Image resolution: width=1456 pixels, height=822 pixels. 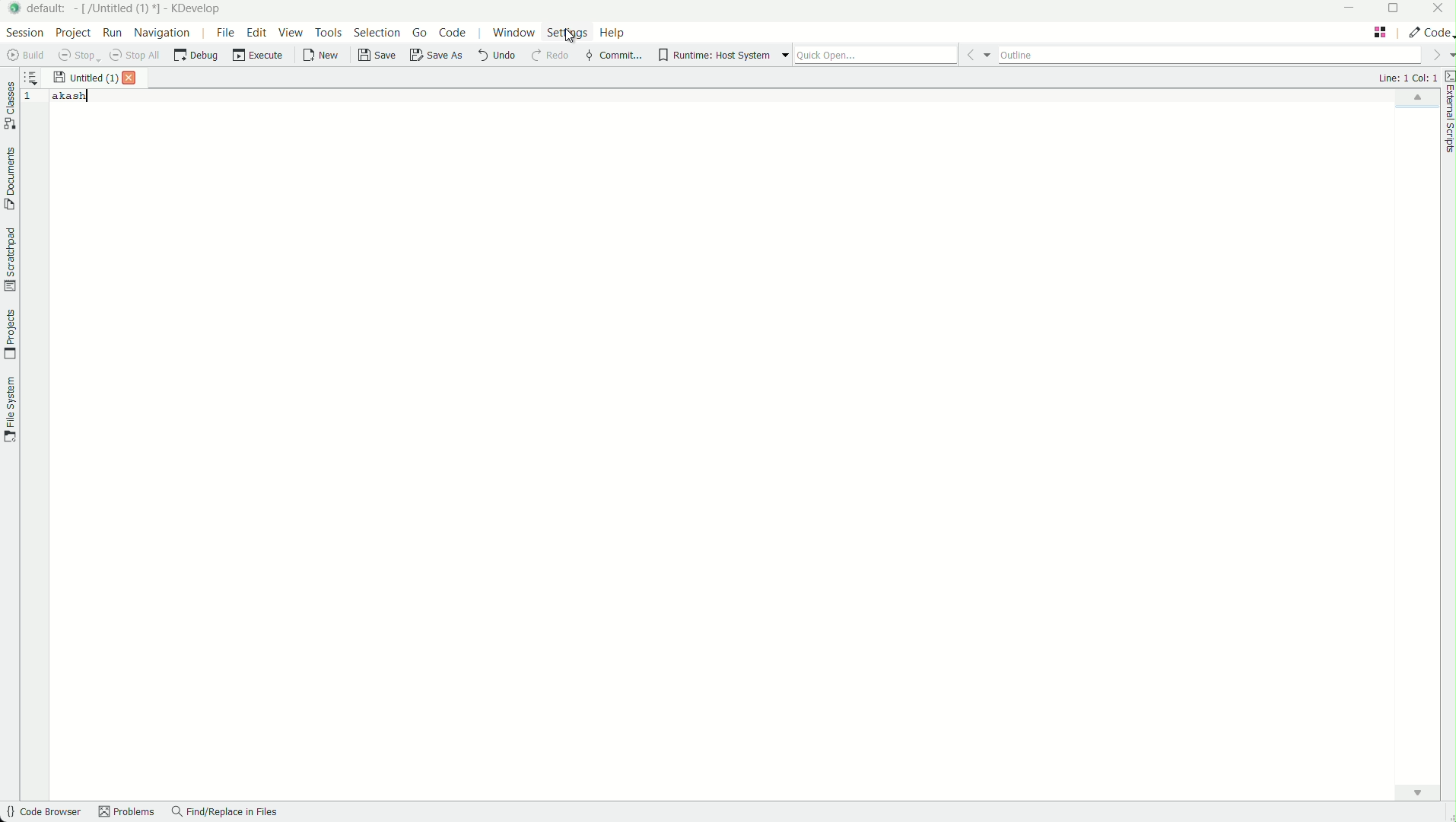 What do you see at coordinates (421, 33) in the screenshot?
I see `go menu` at bounding box center [421, 33].